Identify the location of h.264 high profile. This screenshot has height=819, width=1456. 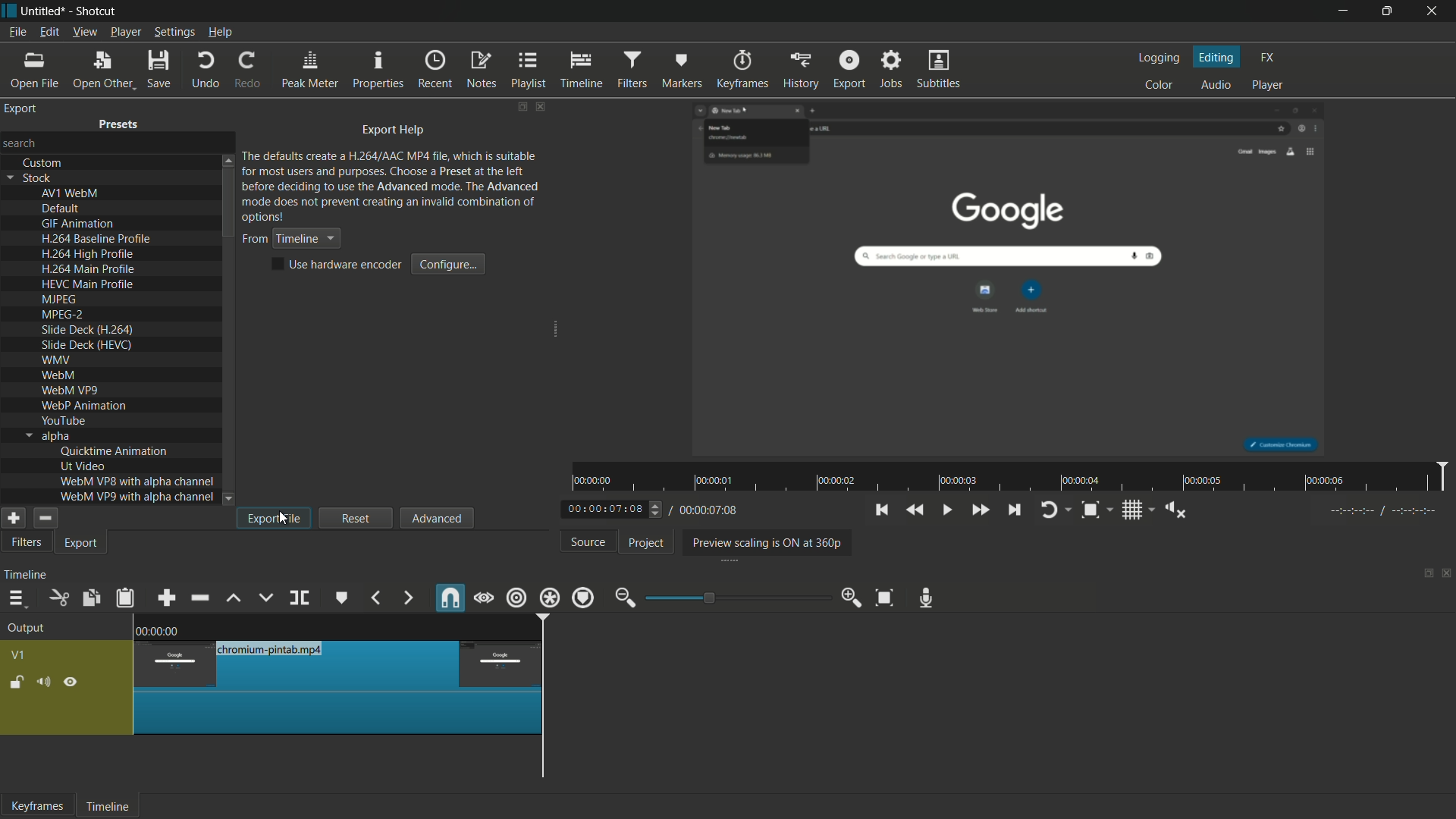
(84, 255).